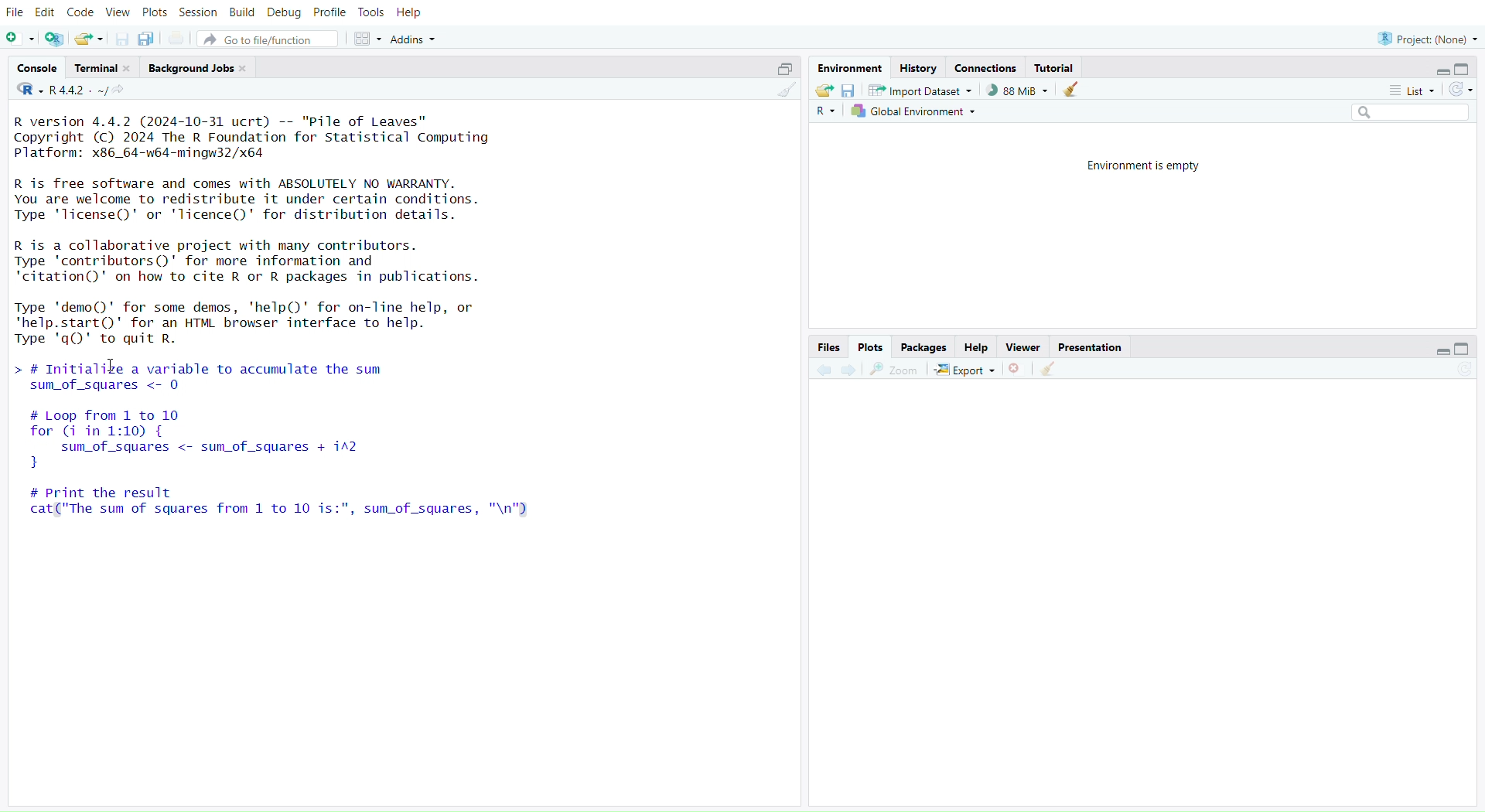 This screenshot has height=812, width=1485. What do you see at coordinates (121, 40) in the screenshot?
I see `save current document` at bounding box center [121, 40].